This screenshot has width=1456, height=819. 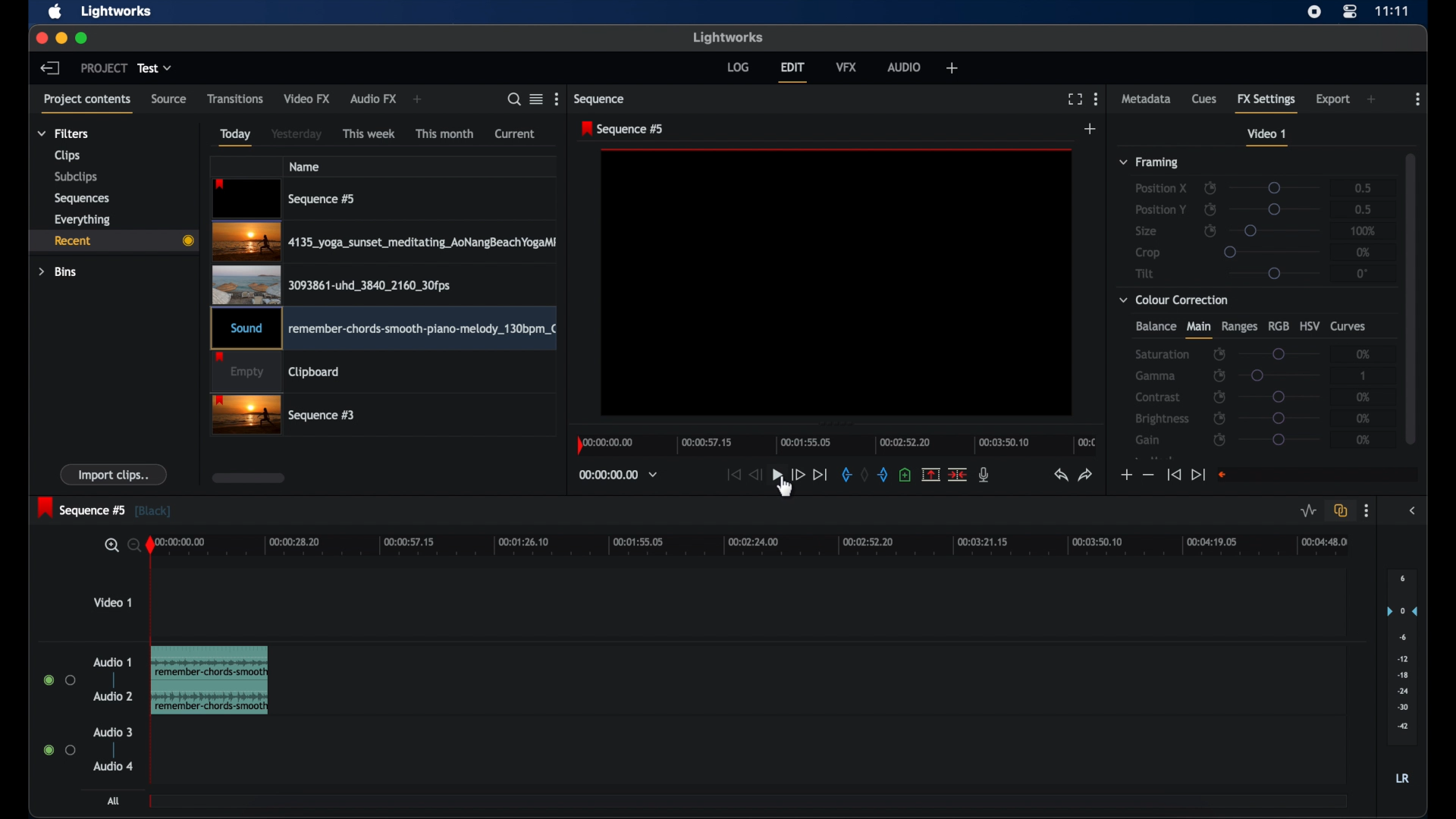 I want to click on full screen, so click(x=1075, y=99).